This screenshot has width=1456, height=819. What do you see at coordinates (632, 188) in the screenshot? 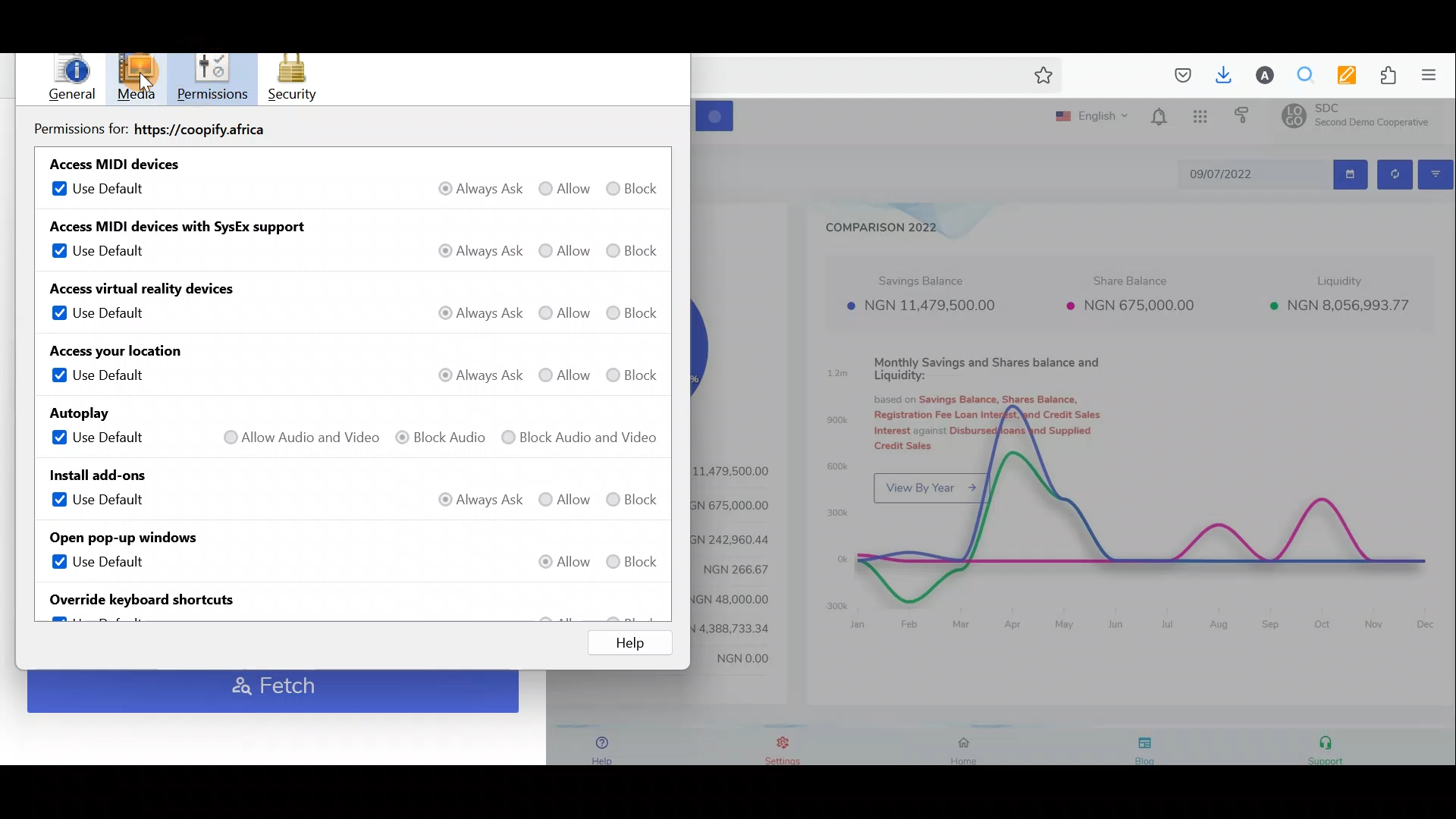
I see `Block` at bounding box center [632, 188].